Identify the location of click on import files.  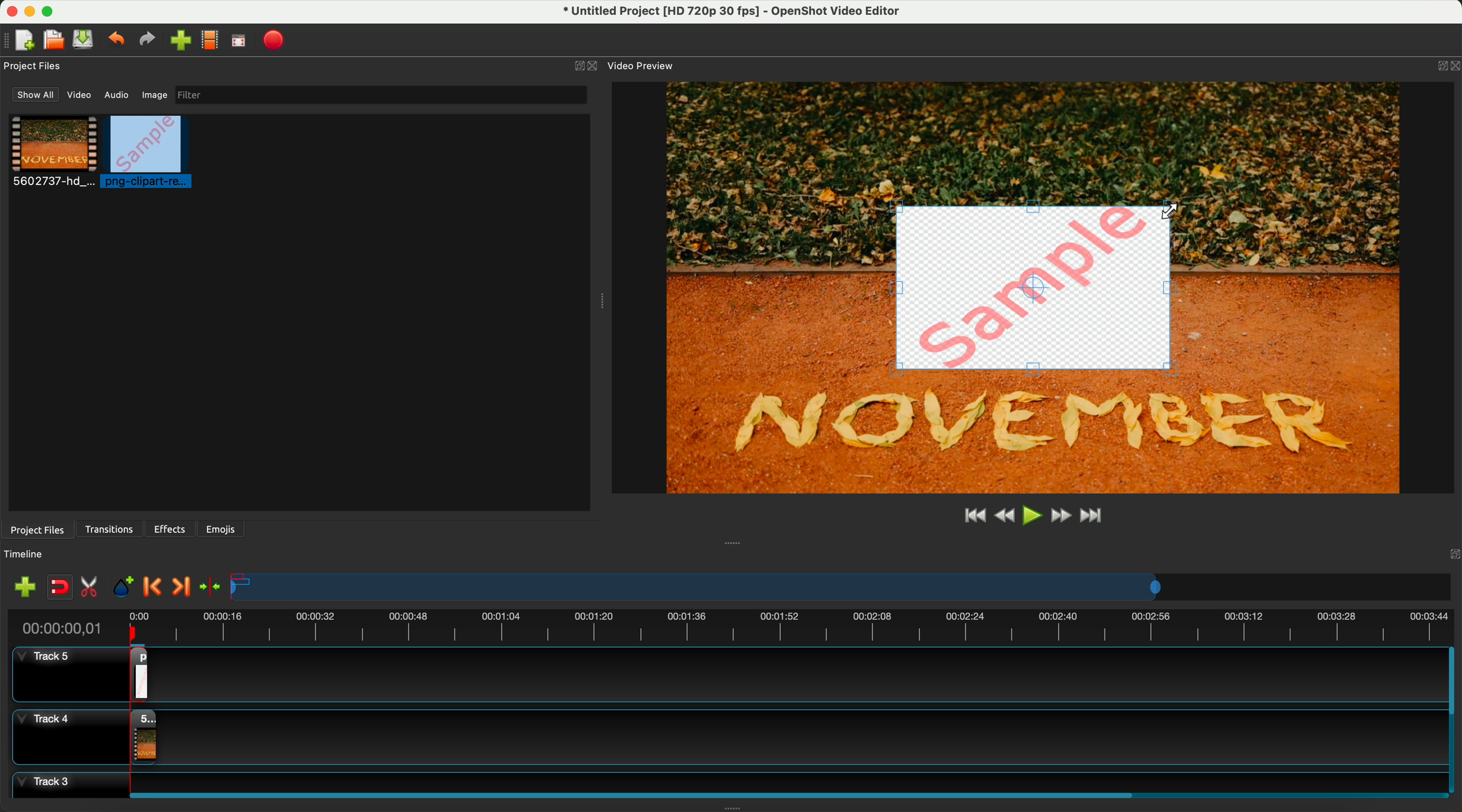
(183, 41).